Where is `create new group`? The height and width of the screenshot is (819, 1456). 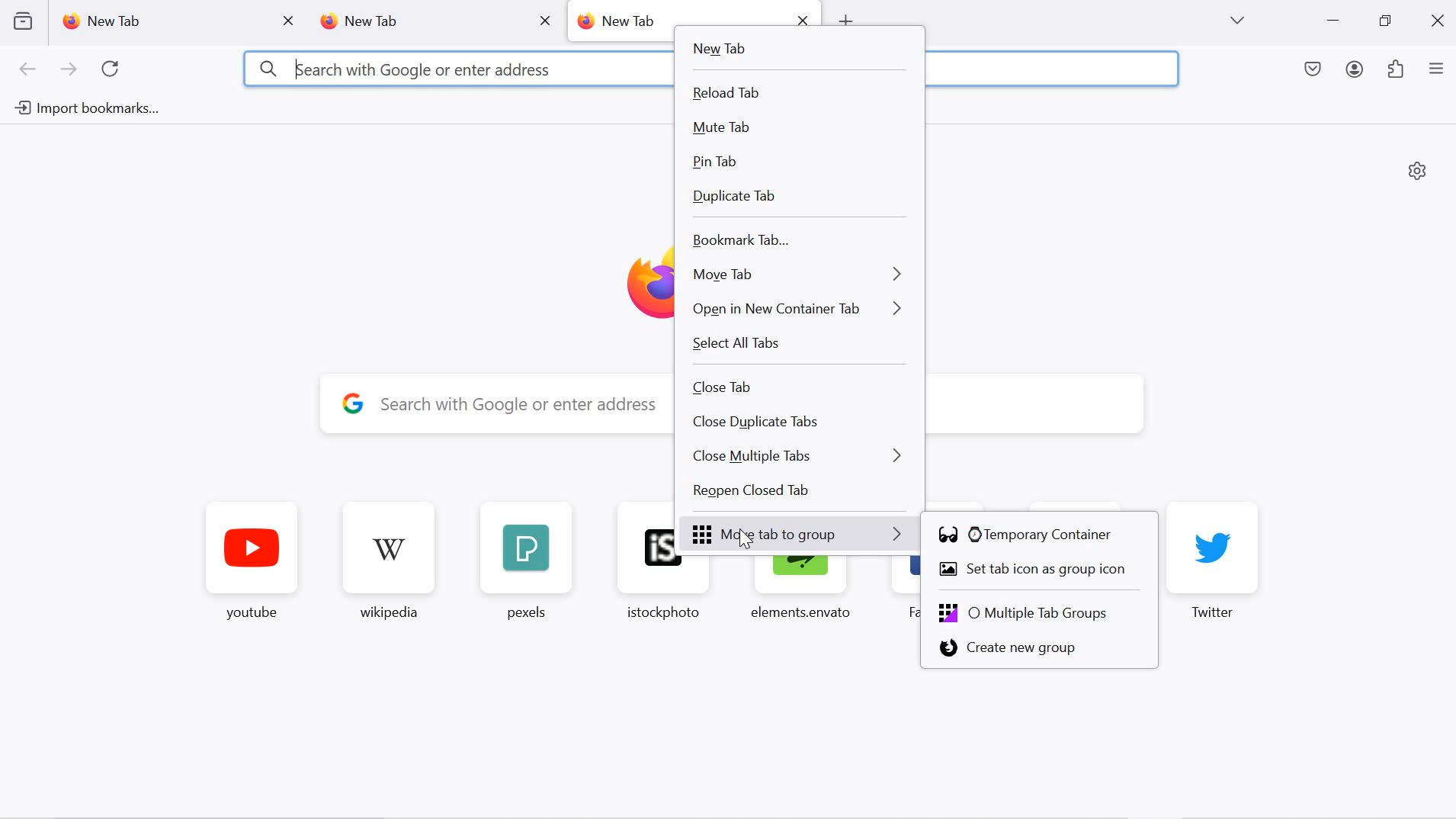 create new group is located at coordinates (1032, 650).